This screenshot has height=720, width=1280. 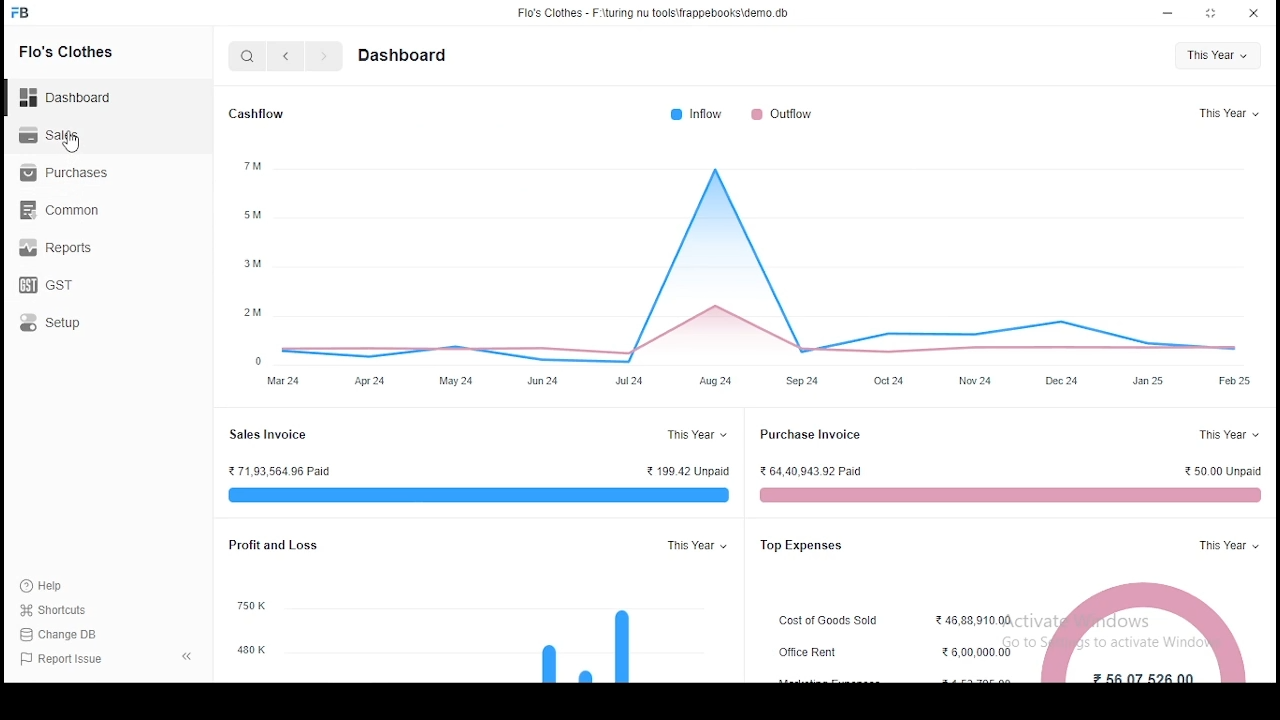 What do you see at coordinates (803, 545) in the screenshot?
I see `Top expenses` at bounding box center [803, 545].